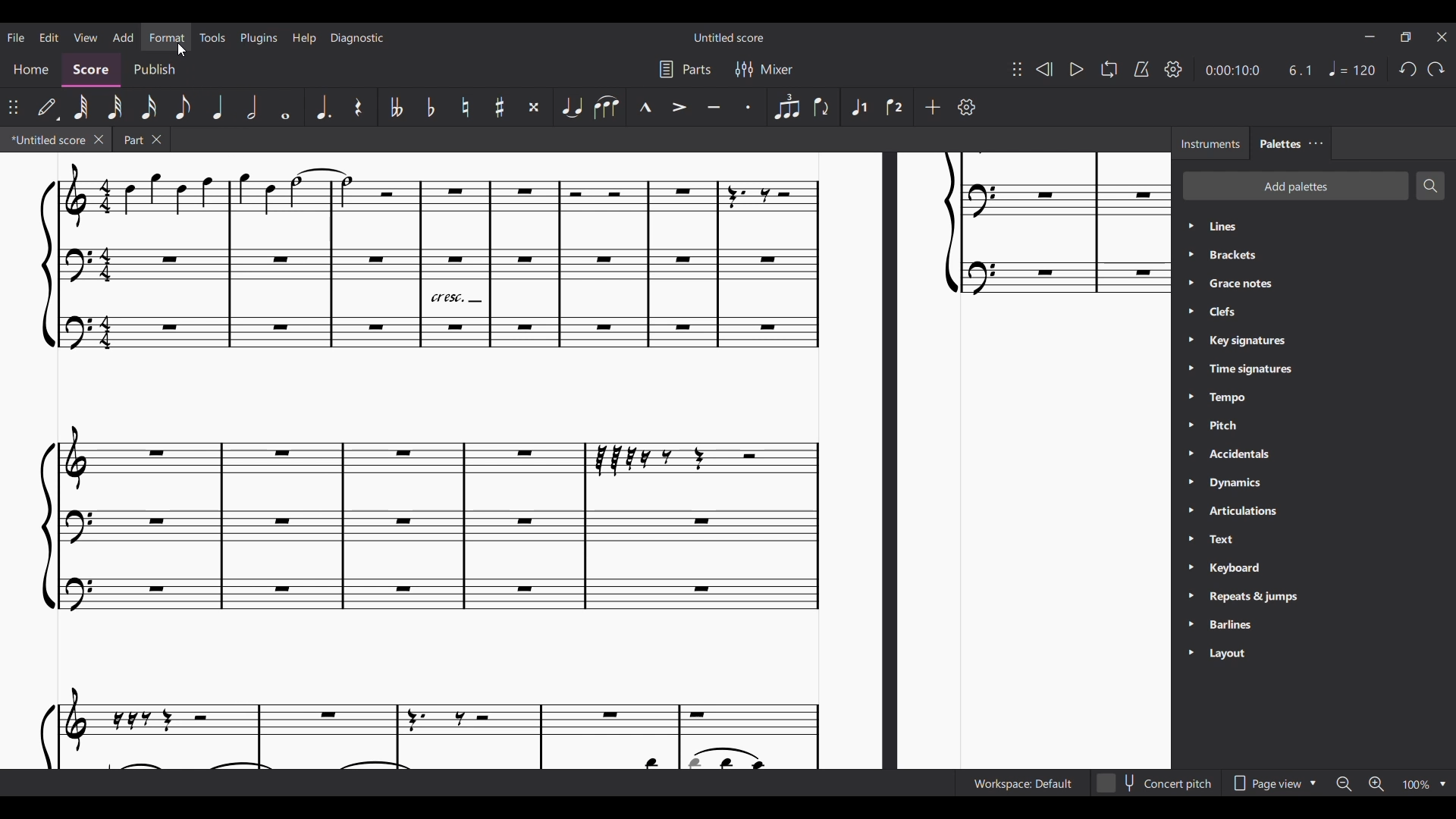 This screenshot has height=819, width=1456. I want to click on Whole note, so click(285, 107).